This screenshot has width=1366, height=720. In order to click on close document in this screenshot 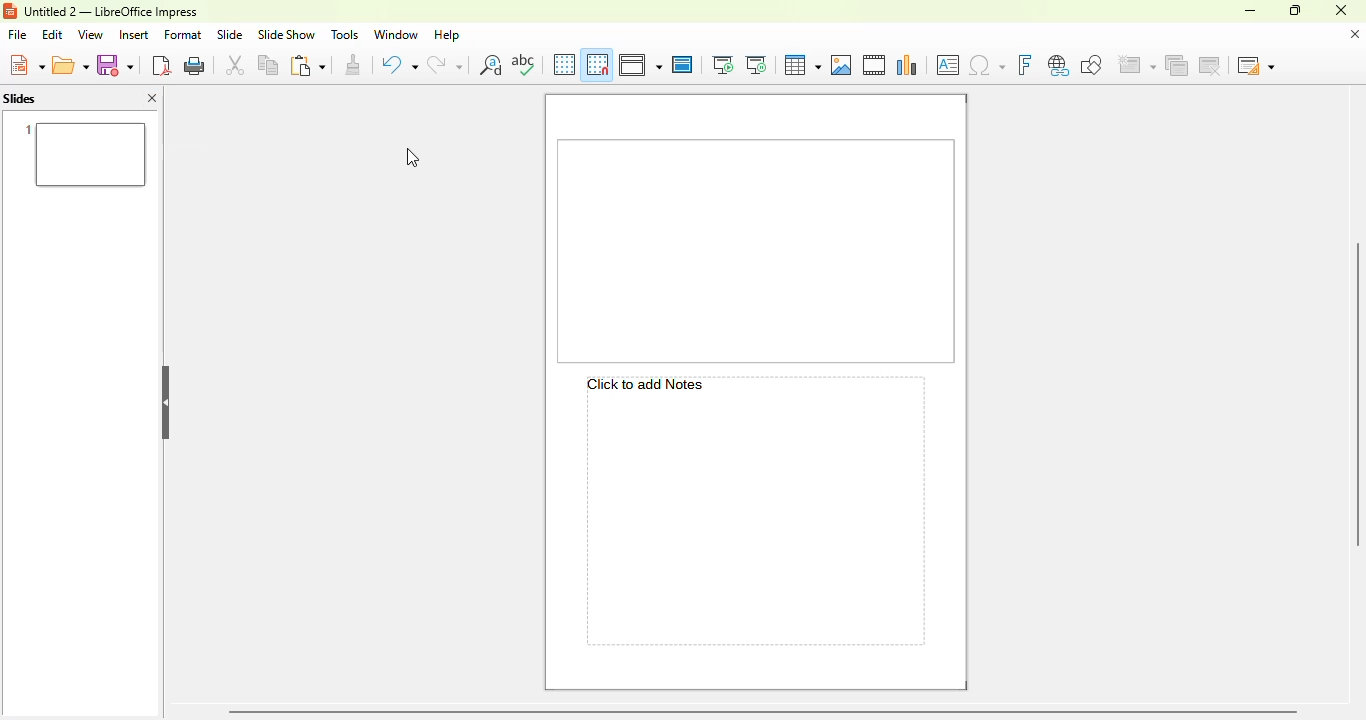, I will do `click(1354, 34)`.